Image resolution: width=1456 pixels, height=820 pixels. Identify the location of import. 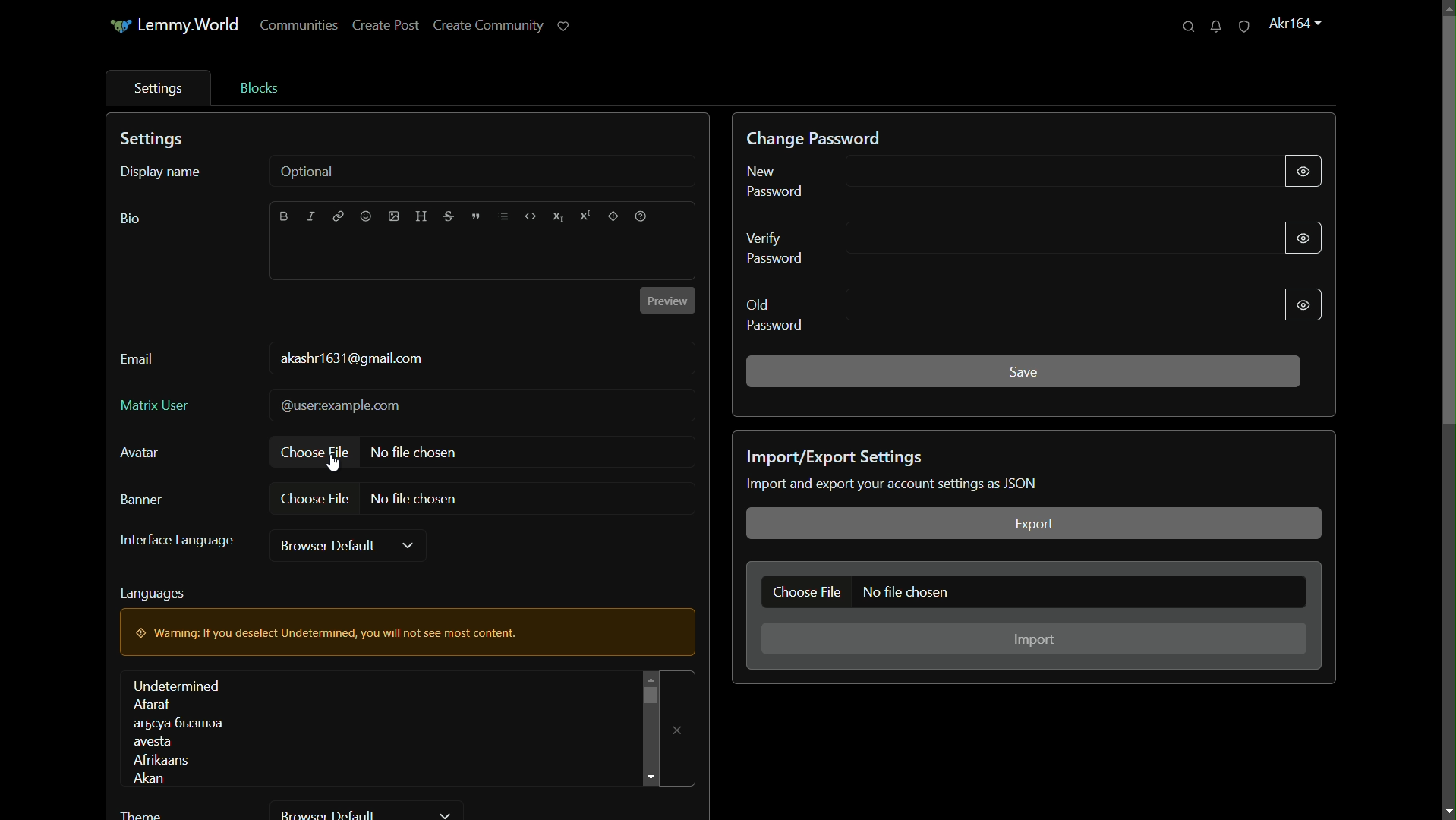
(1035, 640).